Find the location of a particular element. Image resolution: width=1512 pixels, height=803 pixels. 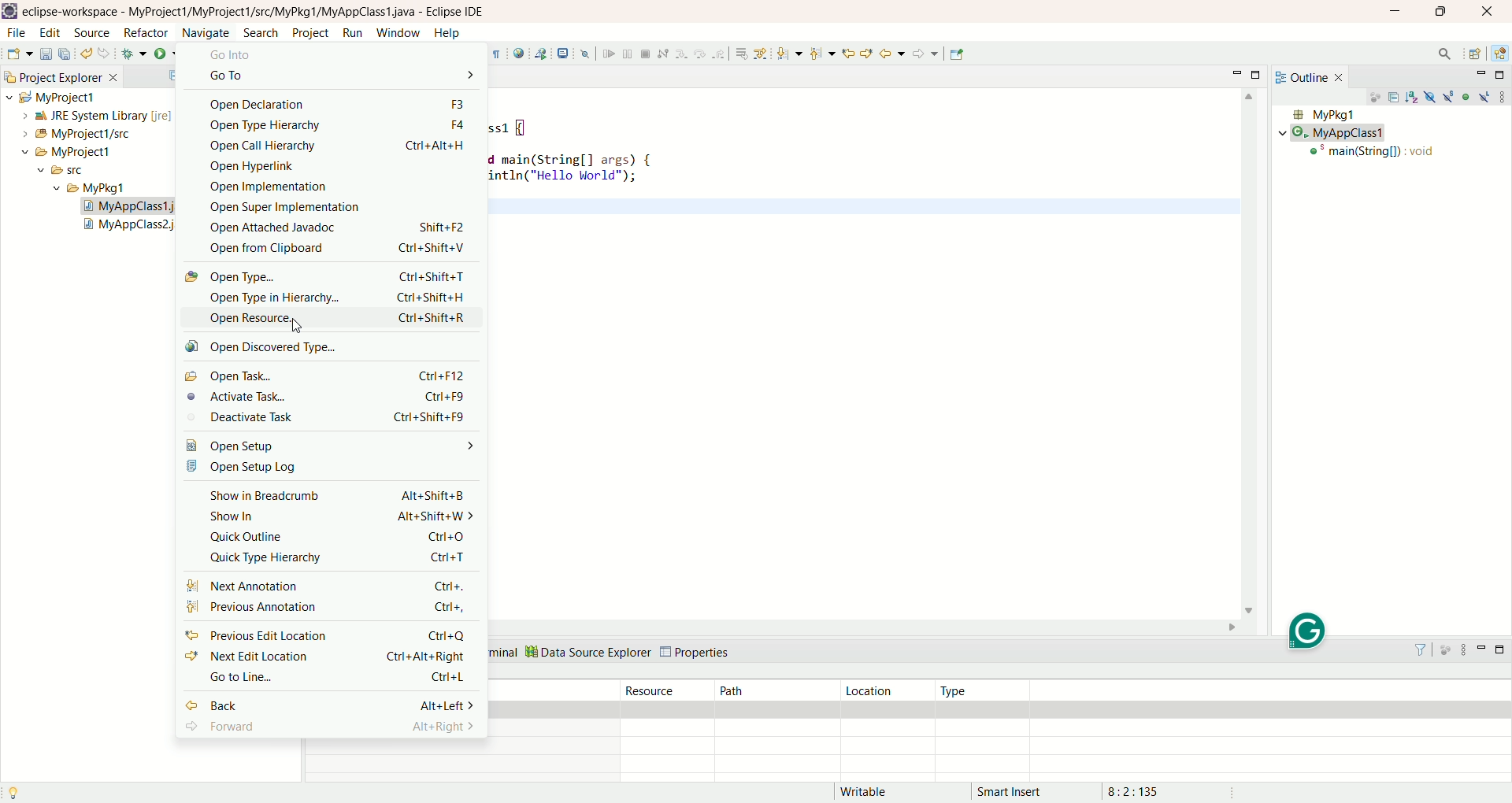

open resource is located at coordinates (329, 316).